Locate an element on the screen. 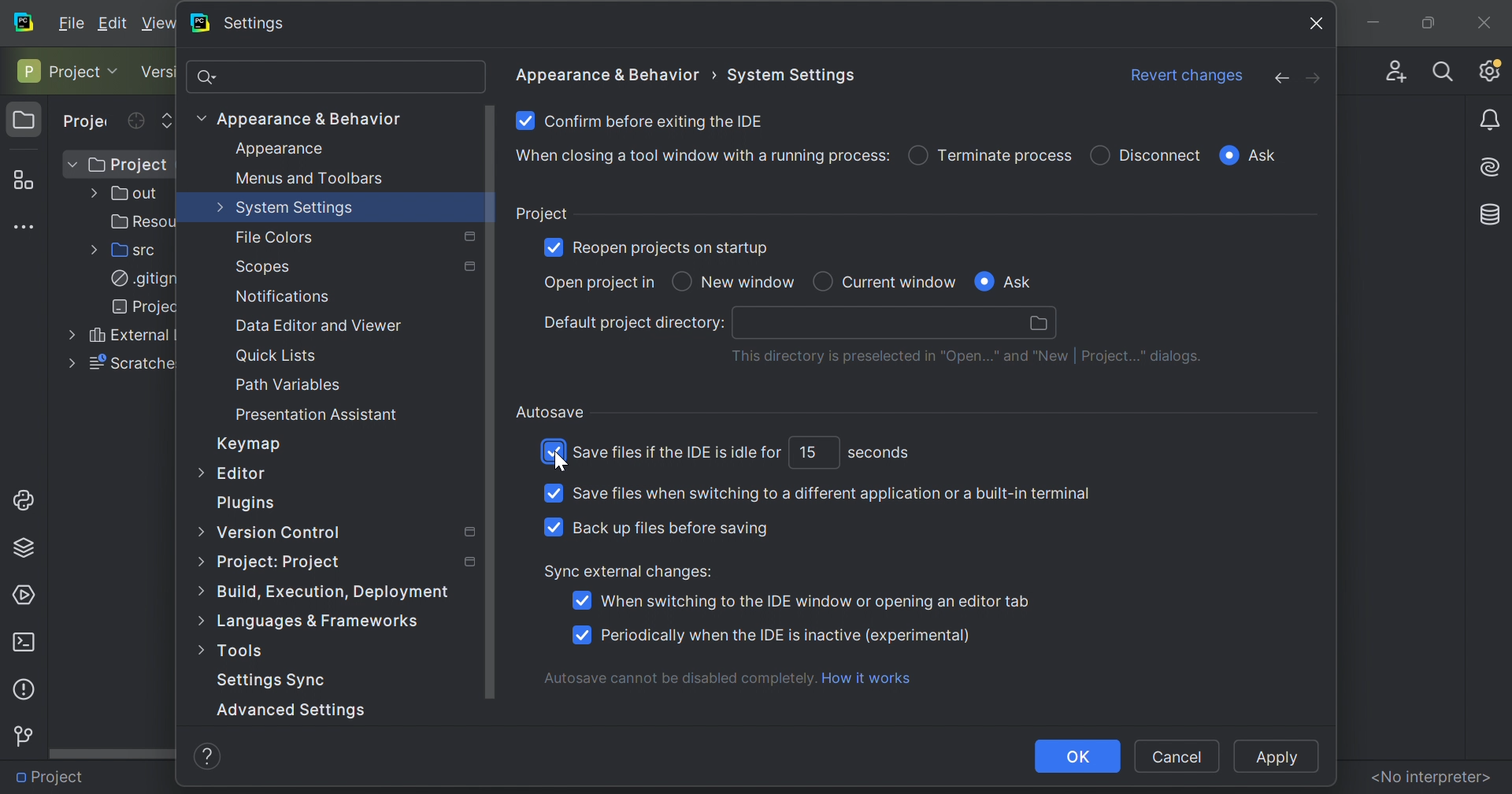 The image size is (1512, 794). Scroll bar is located at coordinates (113, 752).